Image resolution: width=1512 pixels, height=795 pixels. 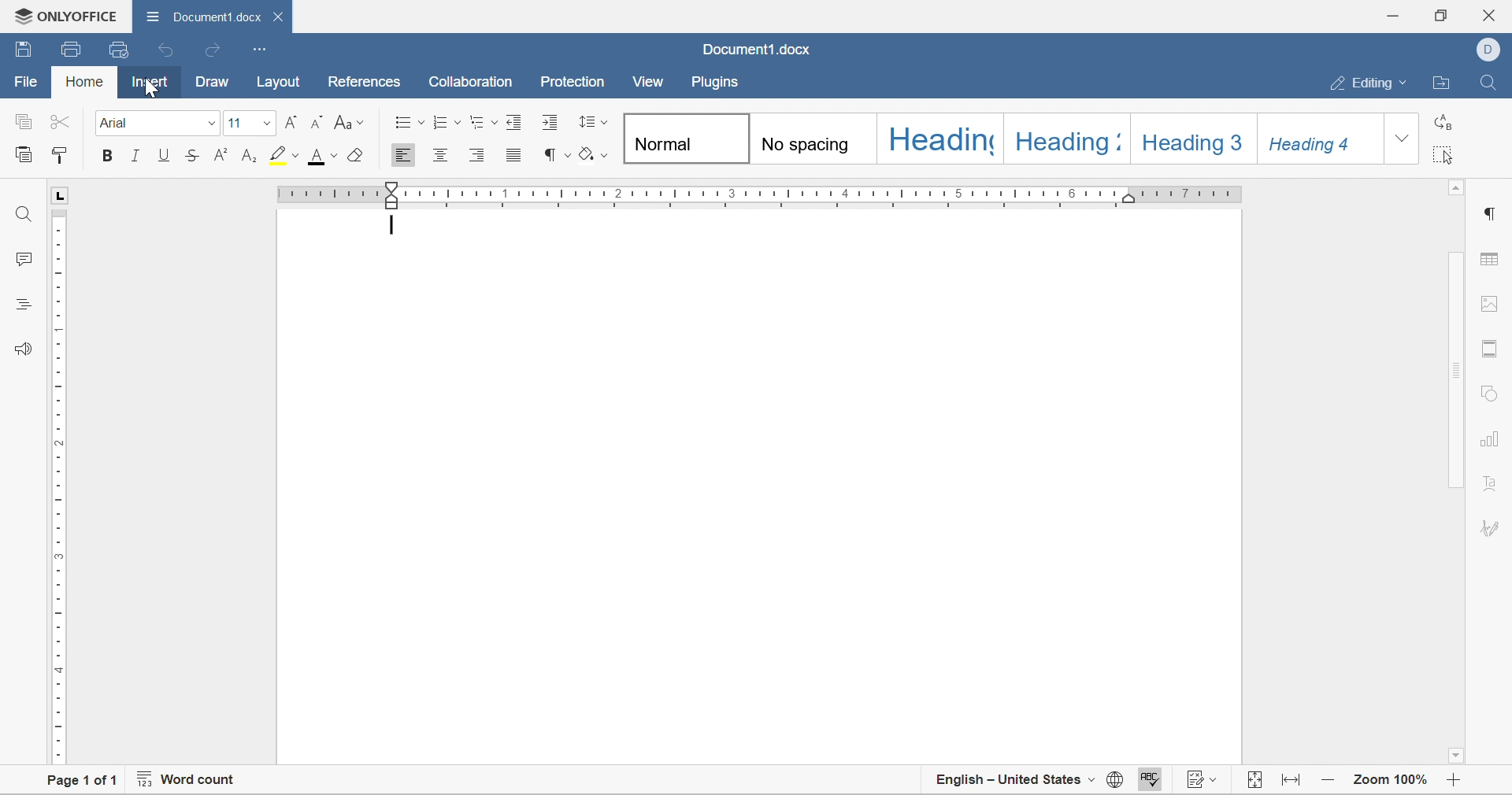 I want to click on Close, so click(x=1494, y=13).